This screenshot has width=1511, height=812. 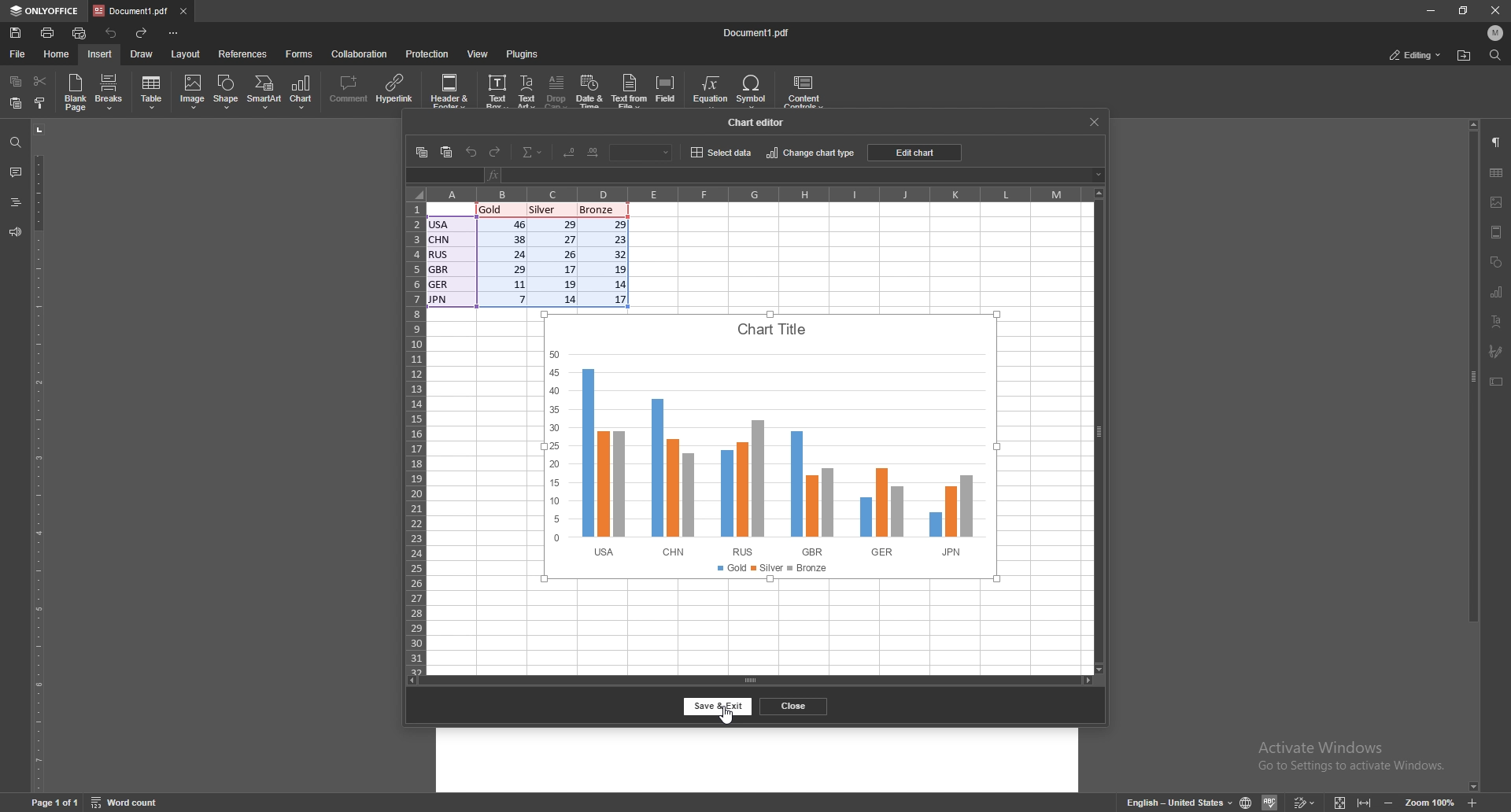 I want to click on resize, so click(x=1465, y=9).